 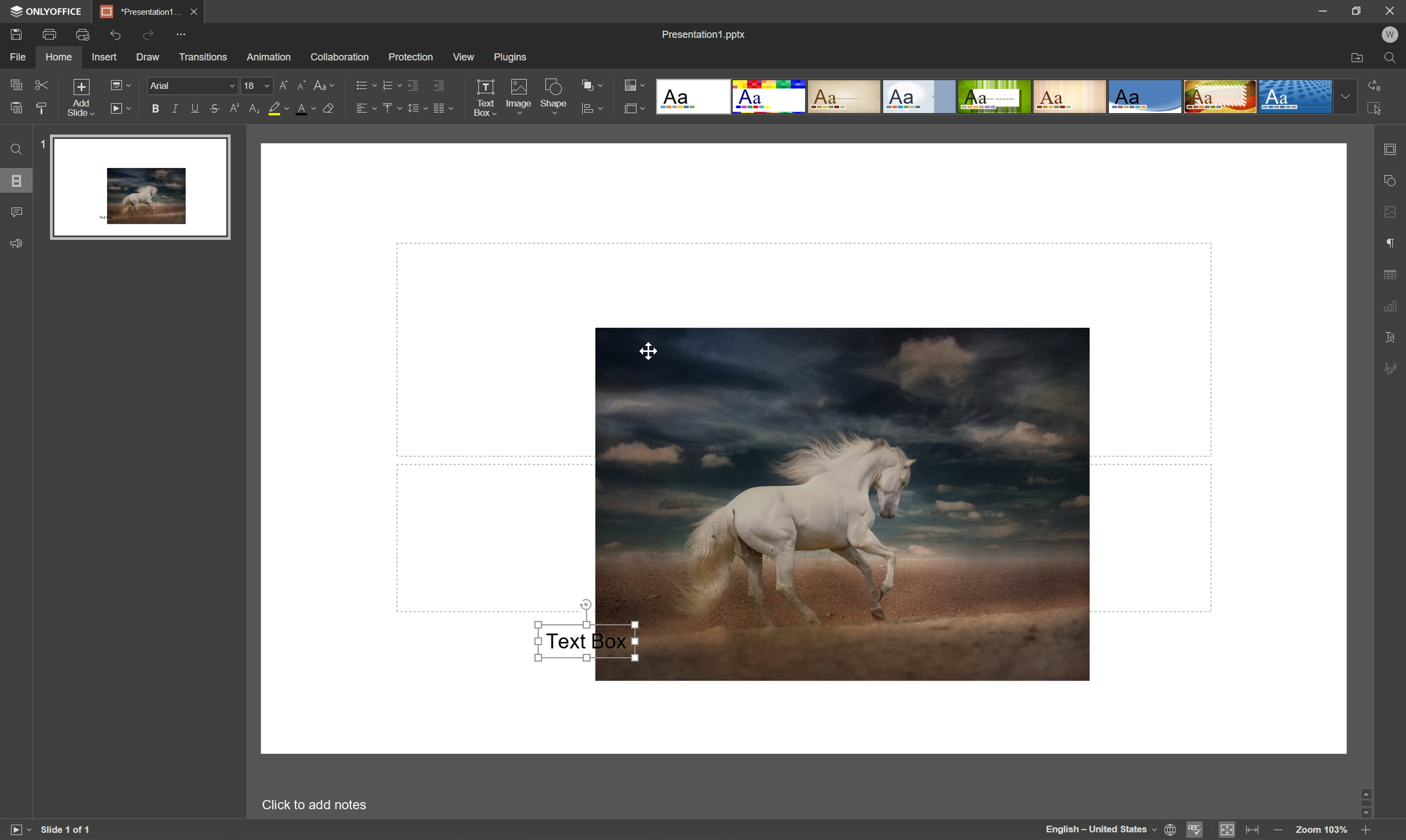 I want to click on Slide settings, so click(x=1394, y=148).